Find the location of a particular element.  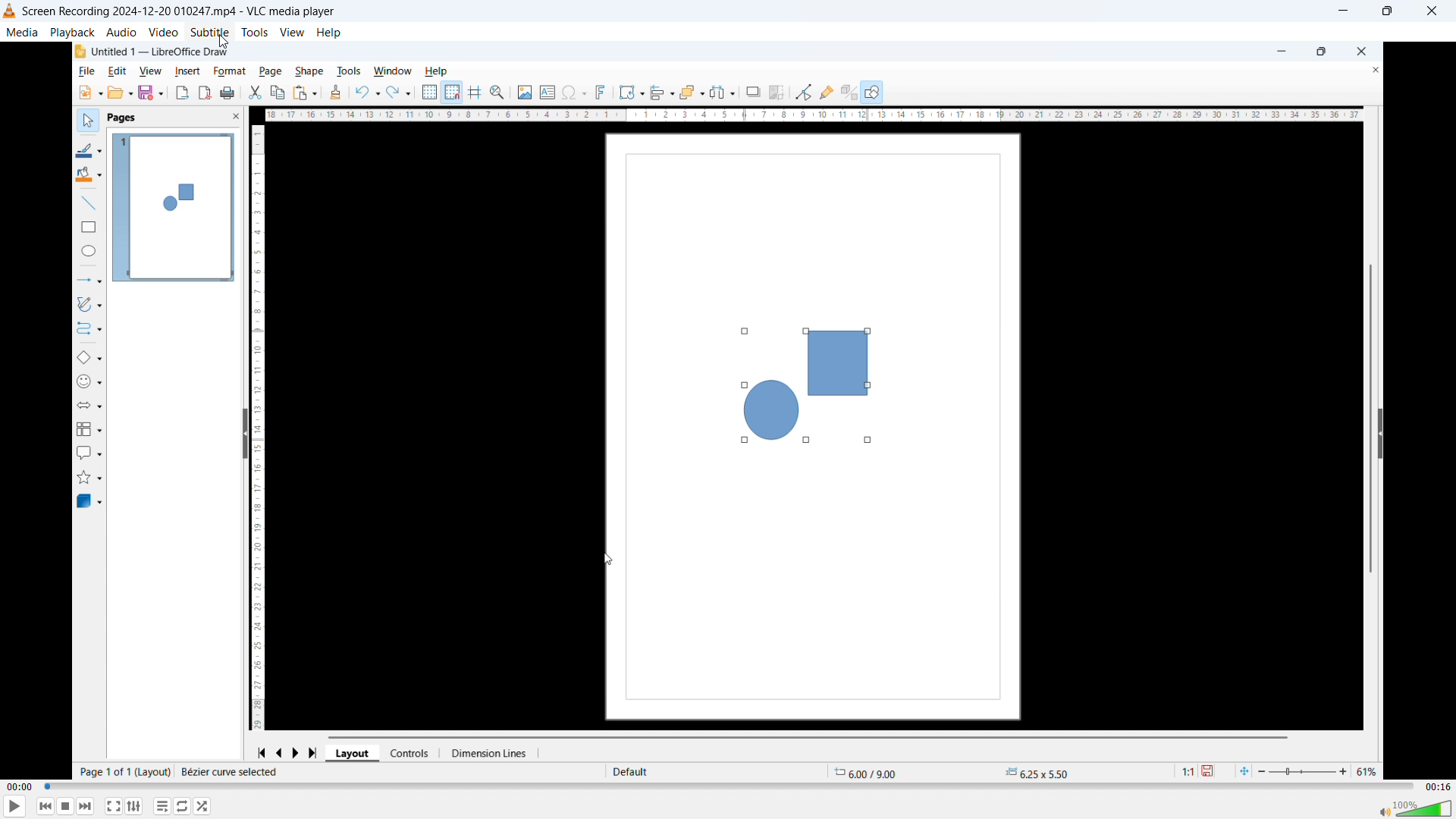

screen recording 2024-12-20 010247 mp4 vlc media player is located at coordinates (189, 11).